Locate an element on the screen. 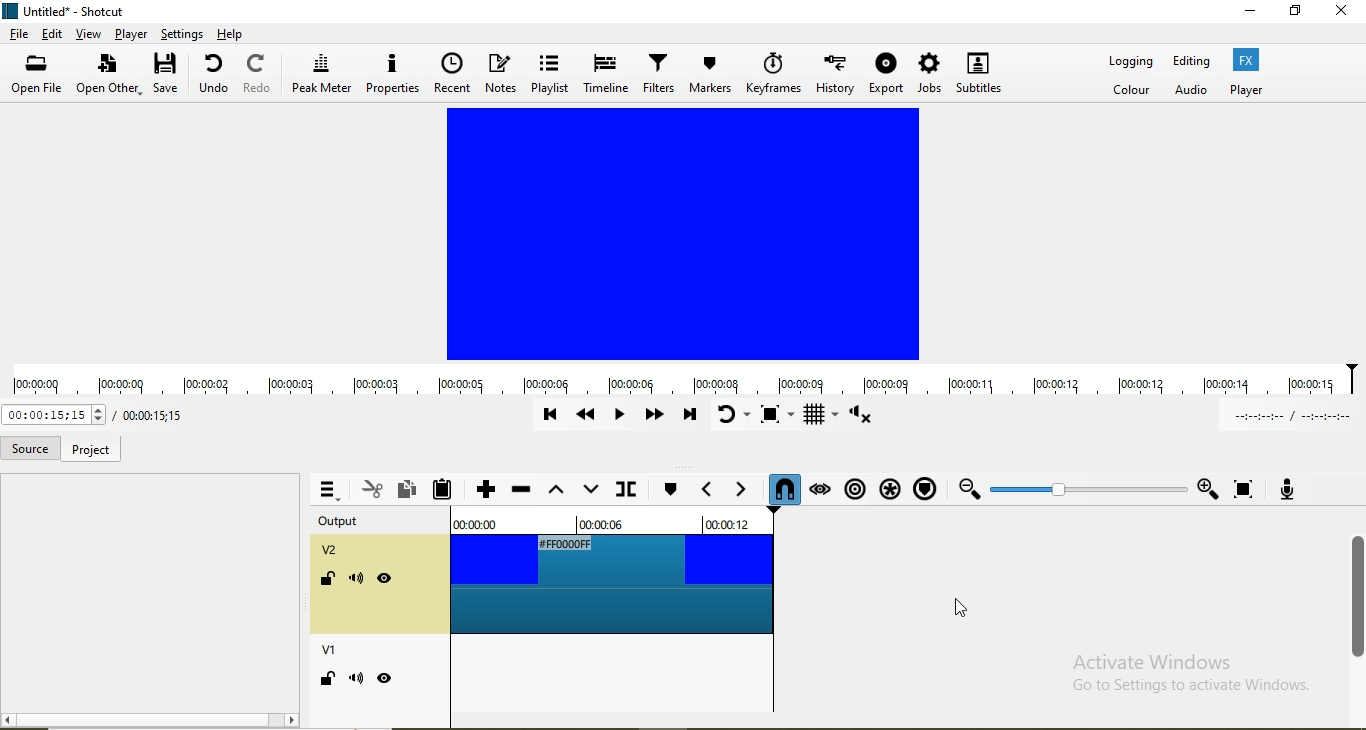 The image size is (1366, 730). edit  is located at coordinates (53, 34).